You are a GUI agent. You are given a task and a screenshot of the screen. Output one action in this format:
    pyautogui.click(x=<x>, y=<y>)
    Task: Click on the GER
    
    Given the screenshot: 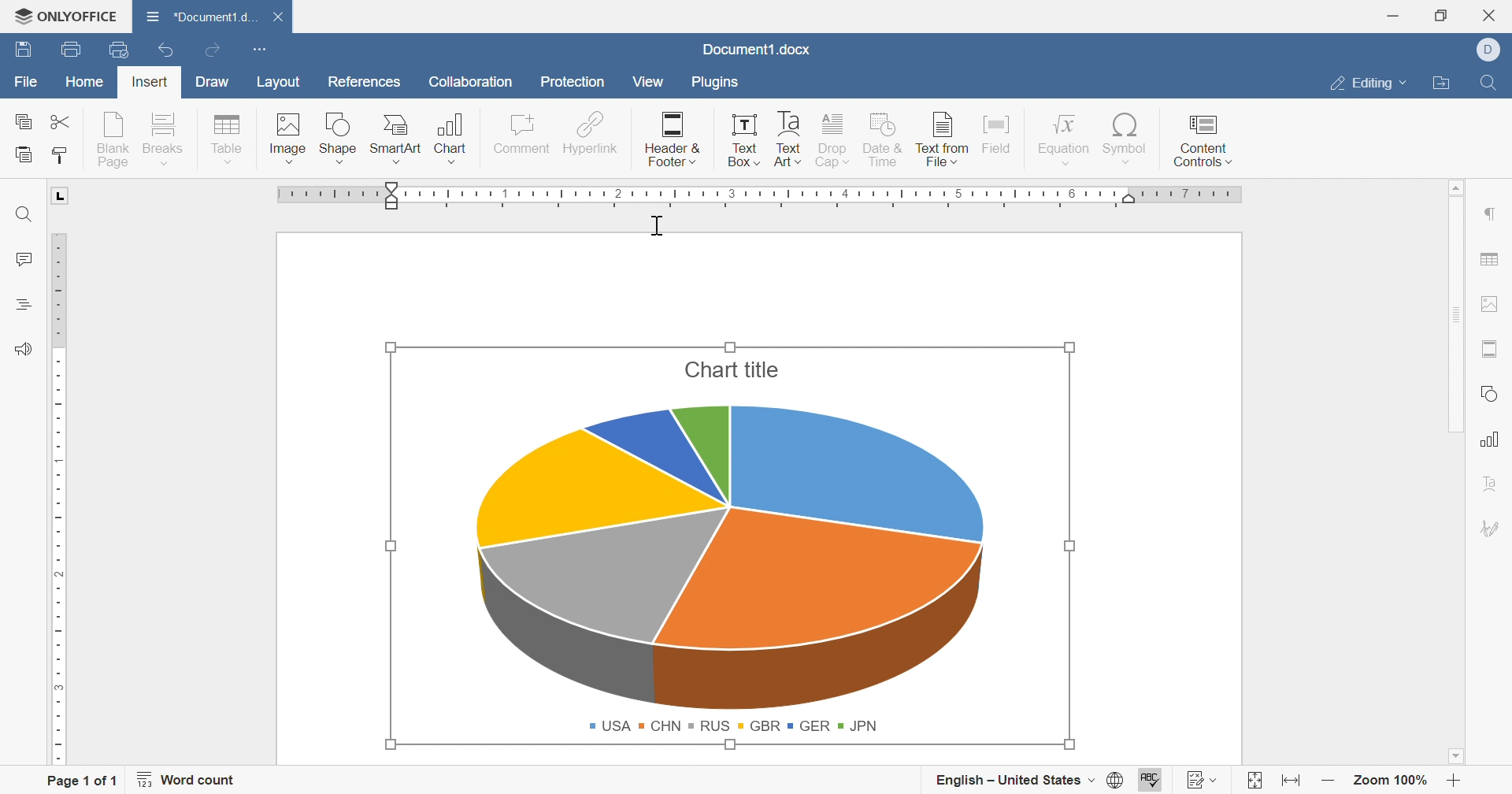 What is the action you would take?
    pyautogui.click(x=809, y=724)
    